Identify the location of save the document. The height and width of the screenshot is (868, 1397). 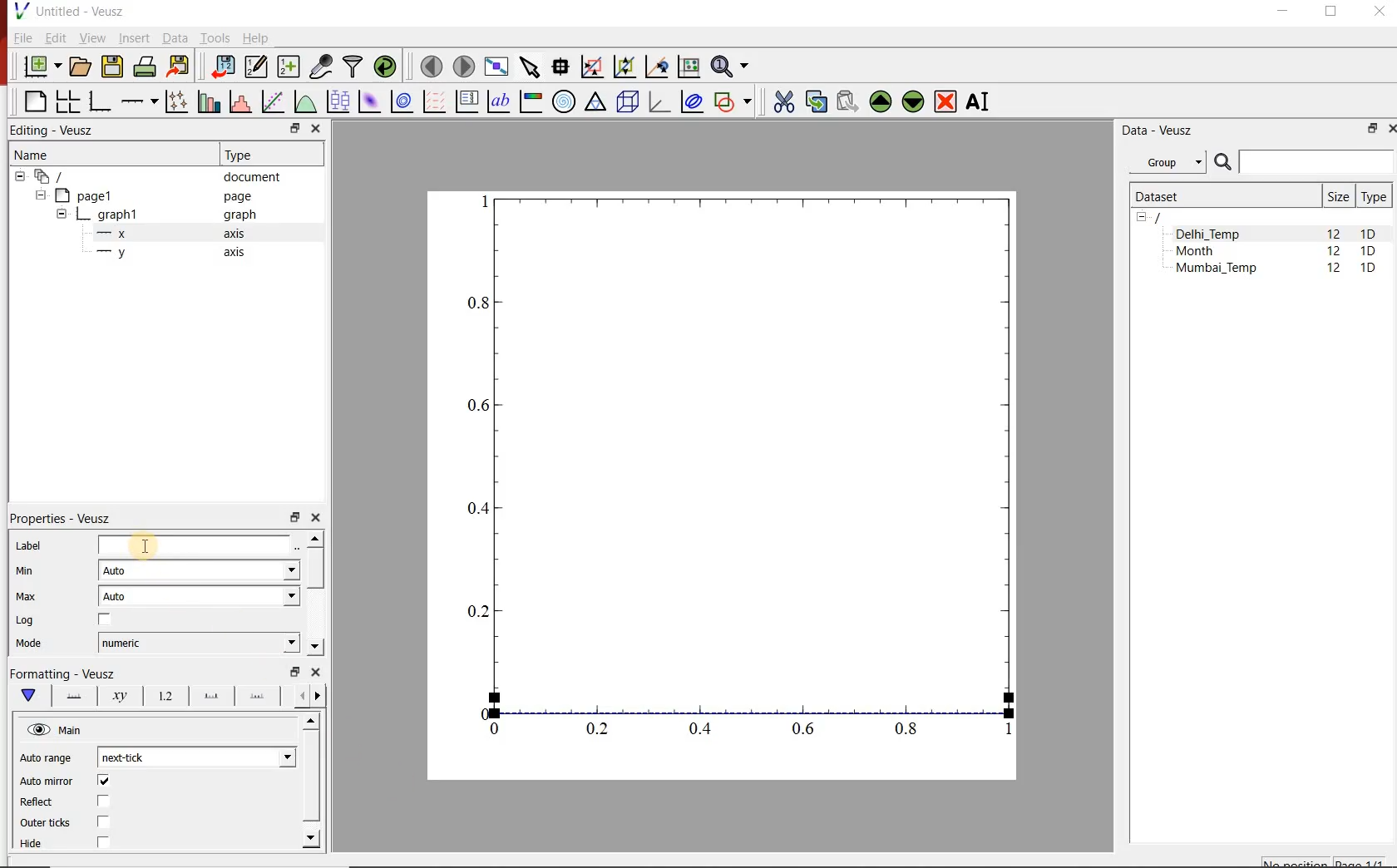
(111, 67).